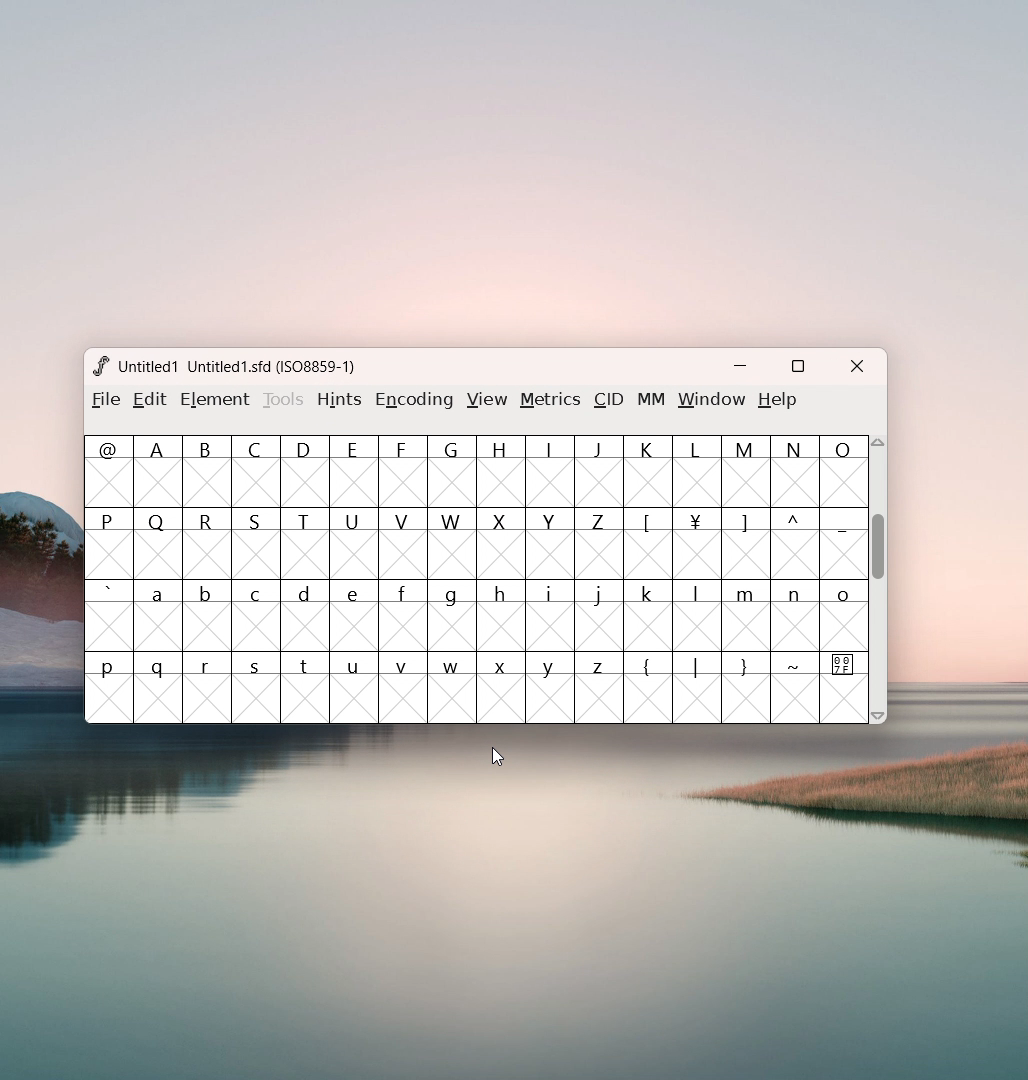 Image resolution: width=1028 pixels, height=1080 pixels. Describe the element at coordinates (415, 400) in the screenshot. I see `encoding` at that location.